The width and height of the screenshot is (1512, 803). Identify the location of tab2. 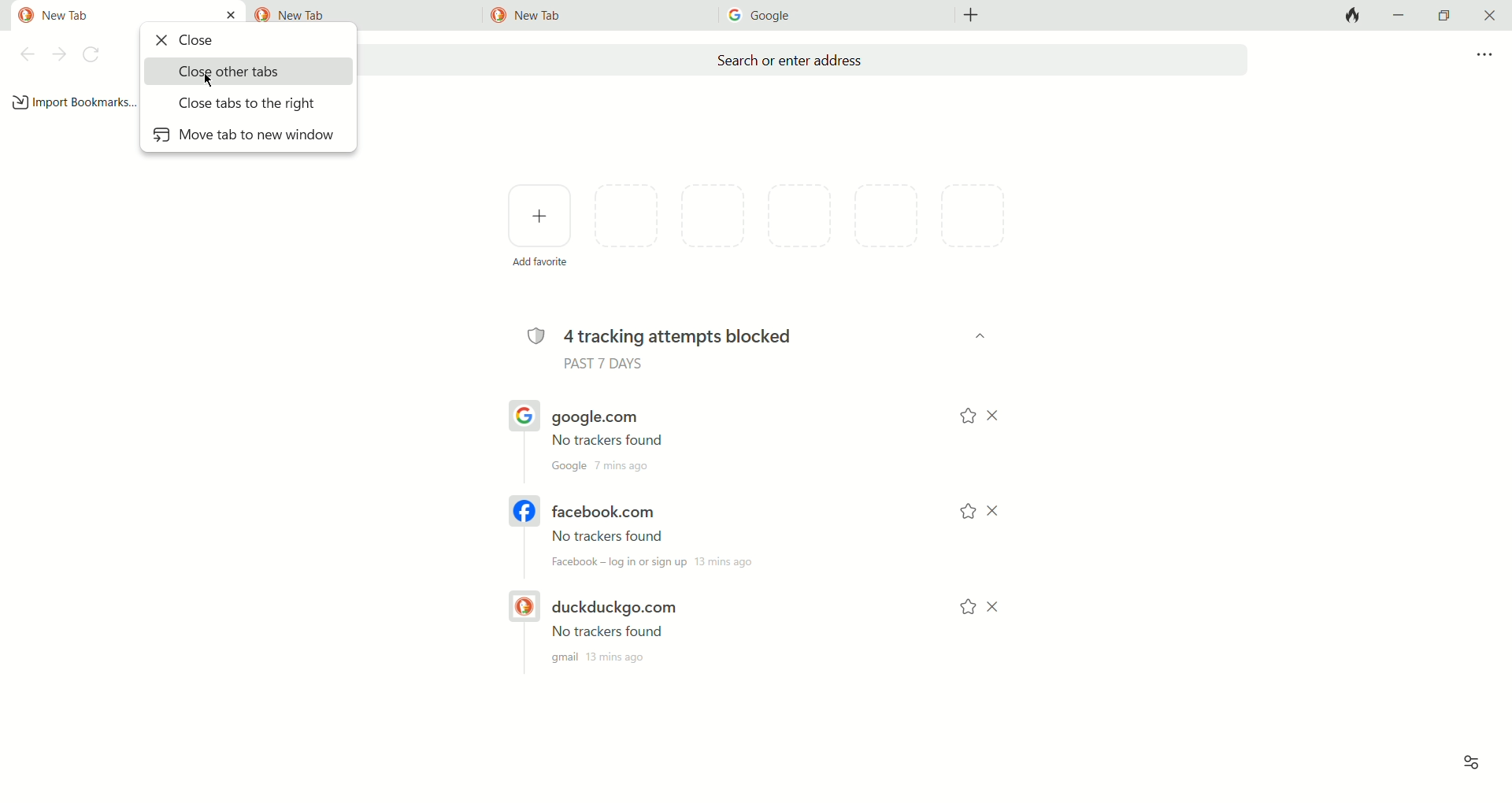
(367, 14).